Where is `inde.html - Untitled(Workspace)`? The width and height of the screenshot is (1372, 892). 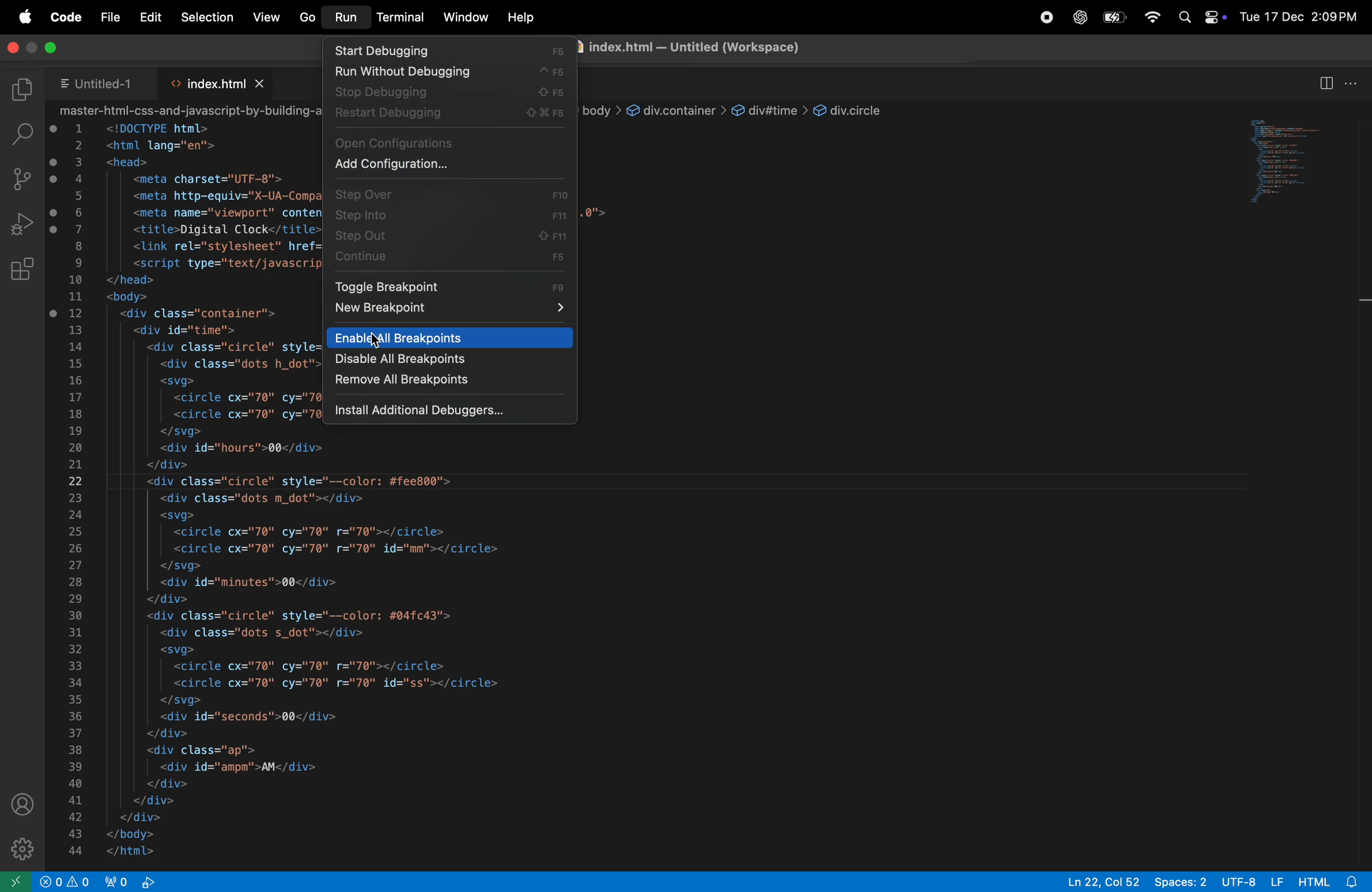 inde.html - Untitled(Workspace) is located at coordinates (696, 47).